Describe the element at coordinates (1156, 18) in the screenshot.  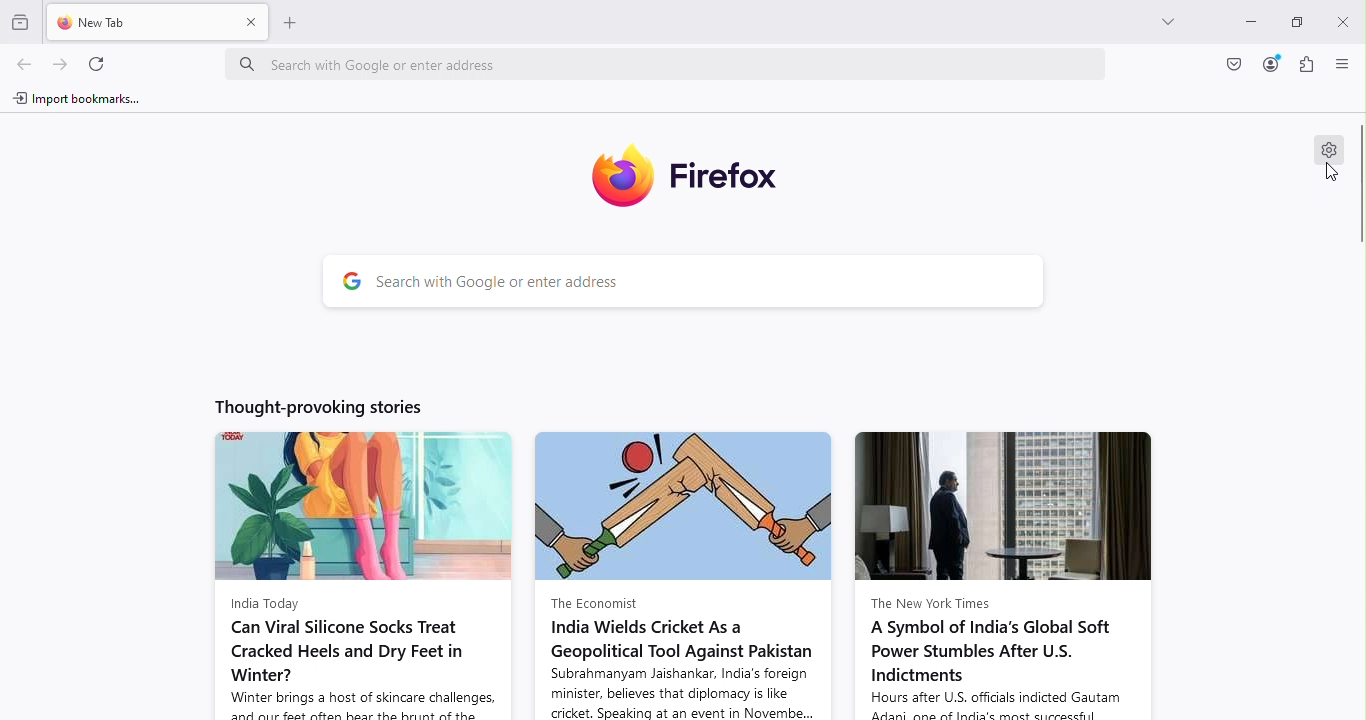
I see `List all tabs` at that location.